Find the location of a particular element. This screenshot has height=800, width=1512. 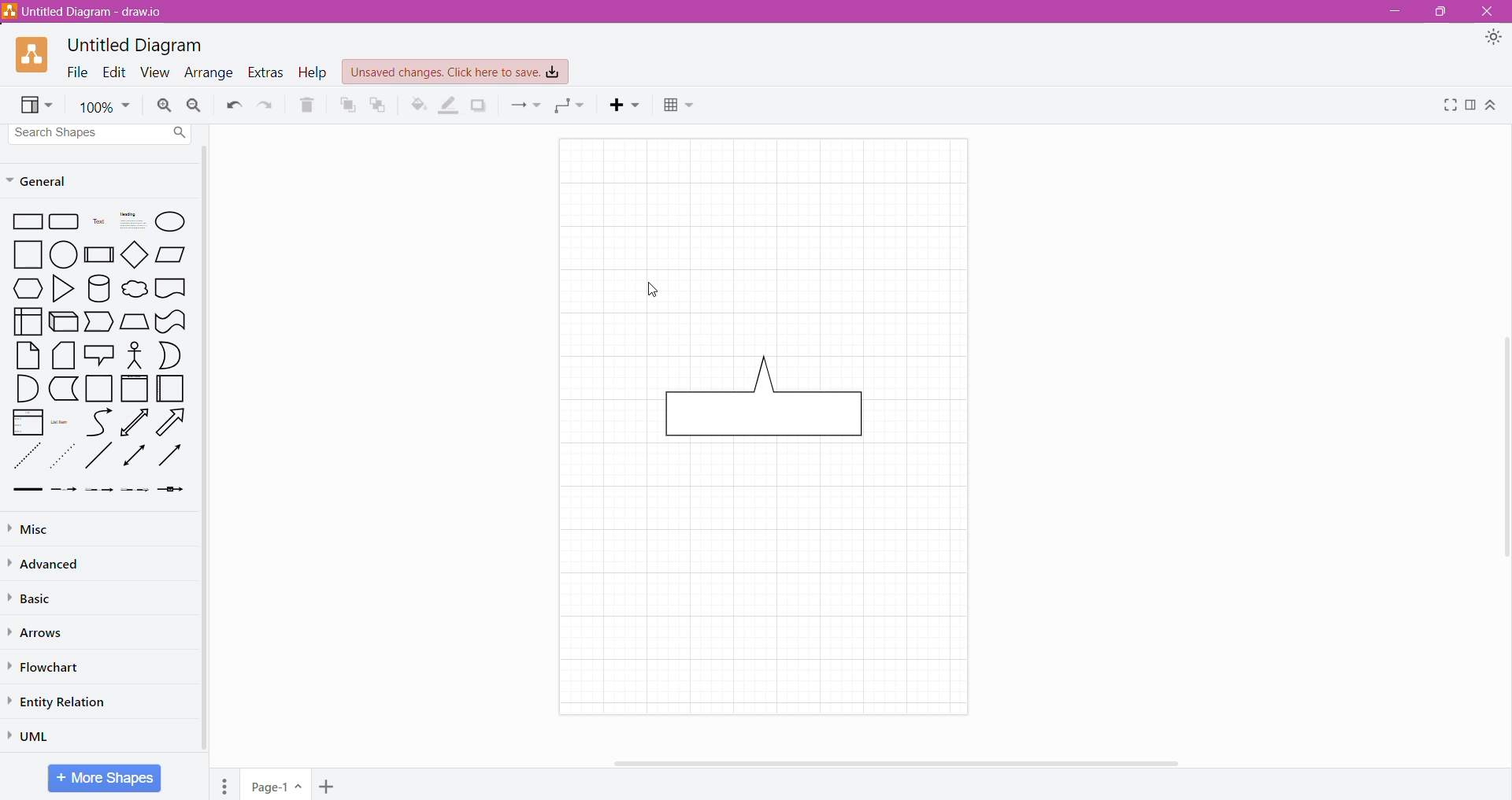

Ellipse is located at coordinates (172, 221).